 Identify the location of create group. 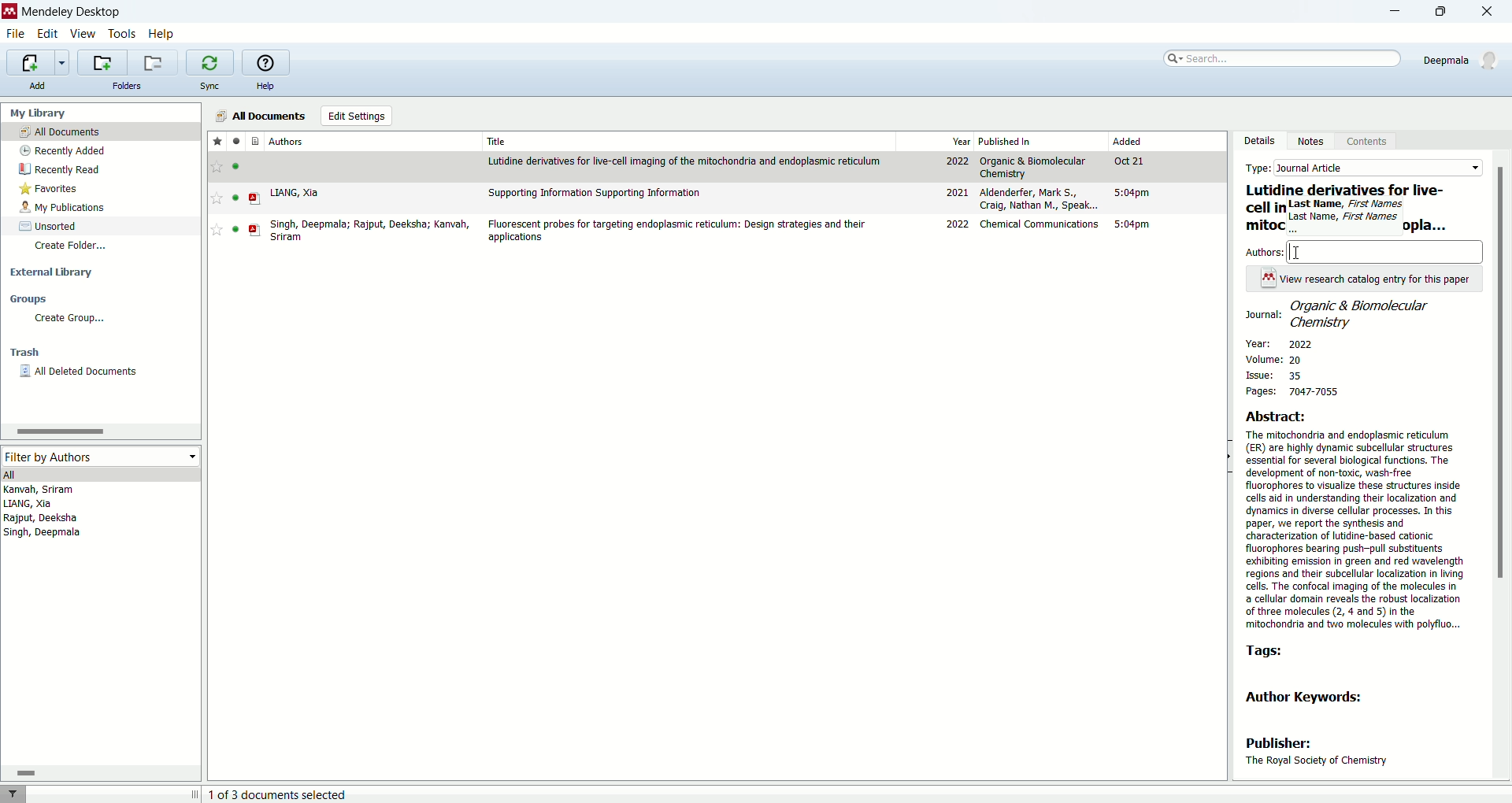
(69, 320).